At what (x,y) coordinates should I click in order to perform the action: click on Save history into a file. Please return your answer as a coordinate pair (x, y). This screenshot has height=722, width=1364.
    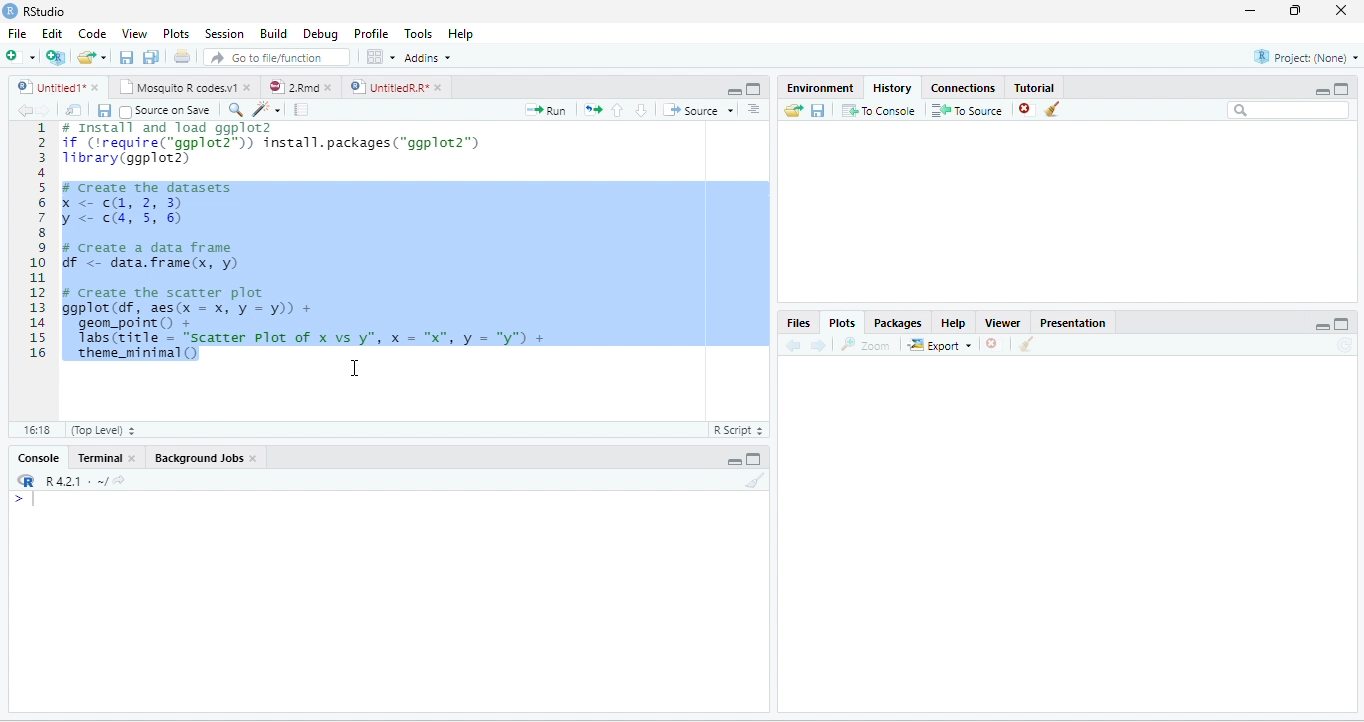
    Looking at the image, I should click on (818, 111).